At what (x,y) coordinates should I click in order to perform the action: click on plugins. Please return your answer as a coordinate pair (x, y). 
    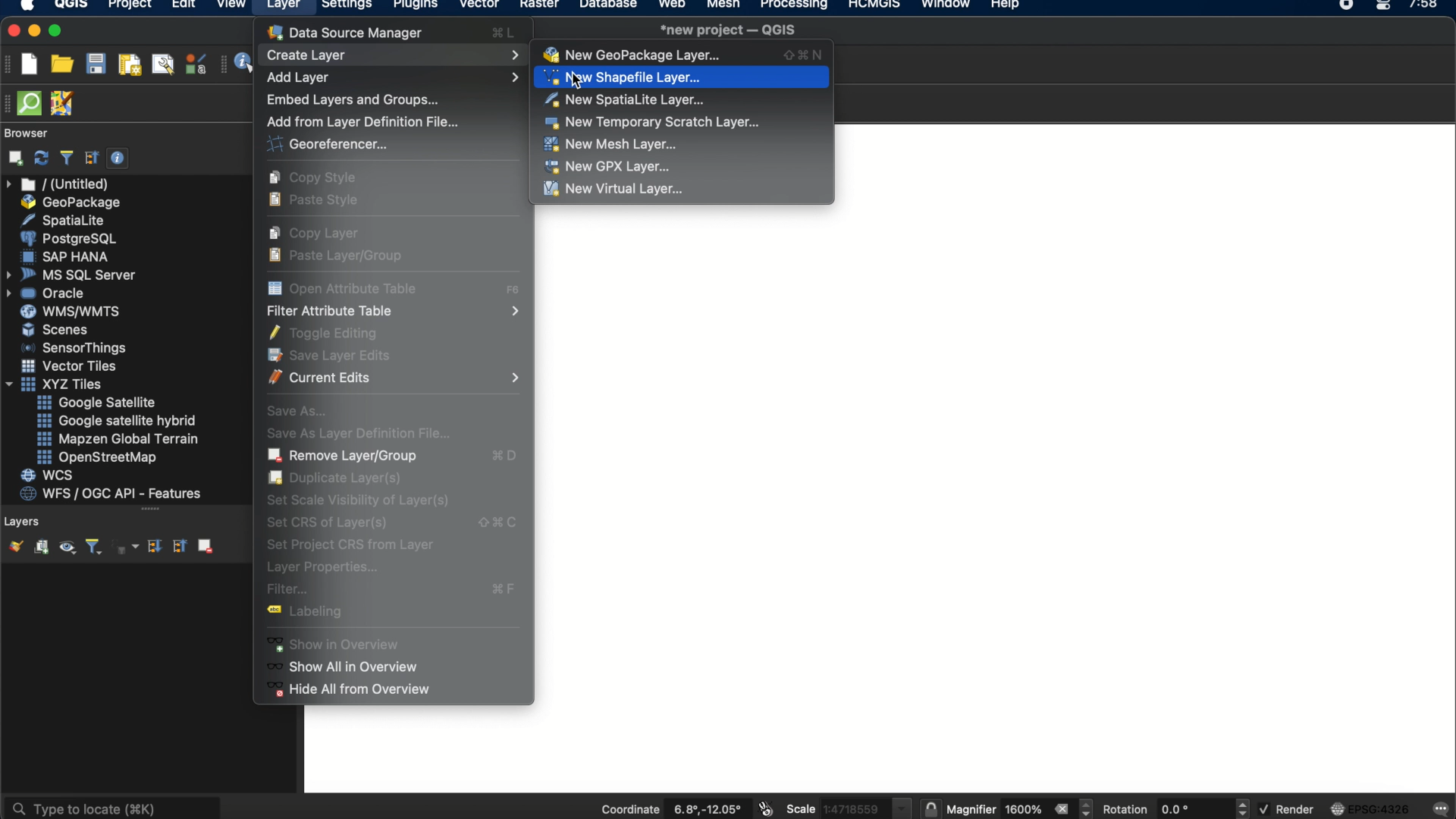
    Looking at the image, I should click on (416, 7).